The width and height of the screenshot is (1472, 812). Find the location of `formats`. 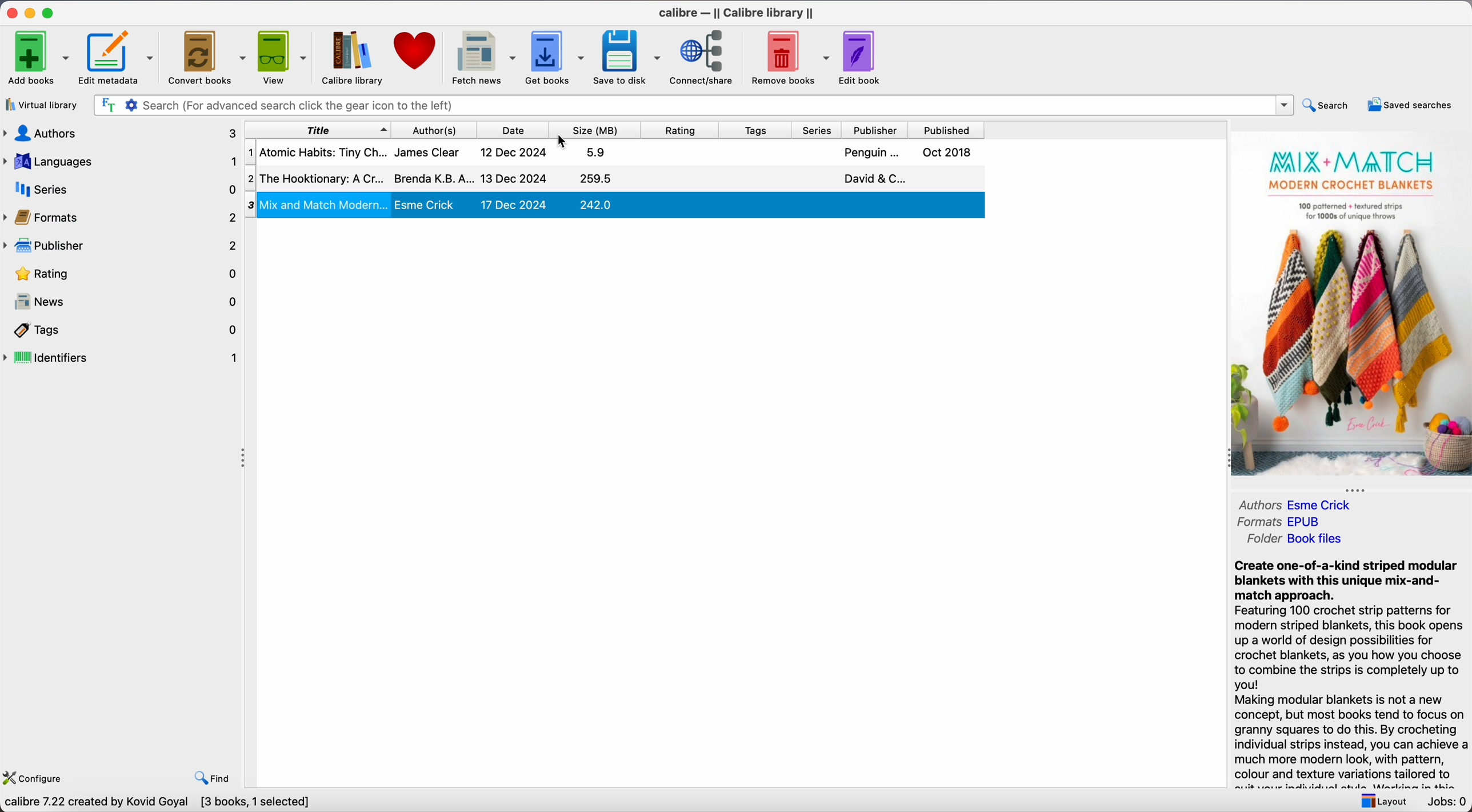

formats is located at coordinates (121, 215).